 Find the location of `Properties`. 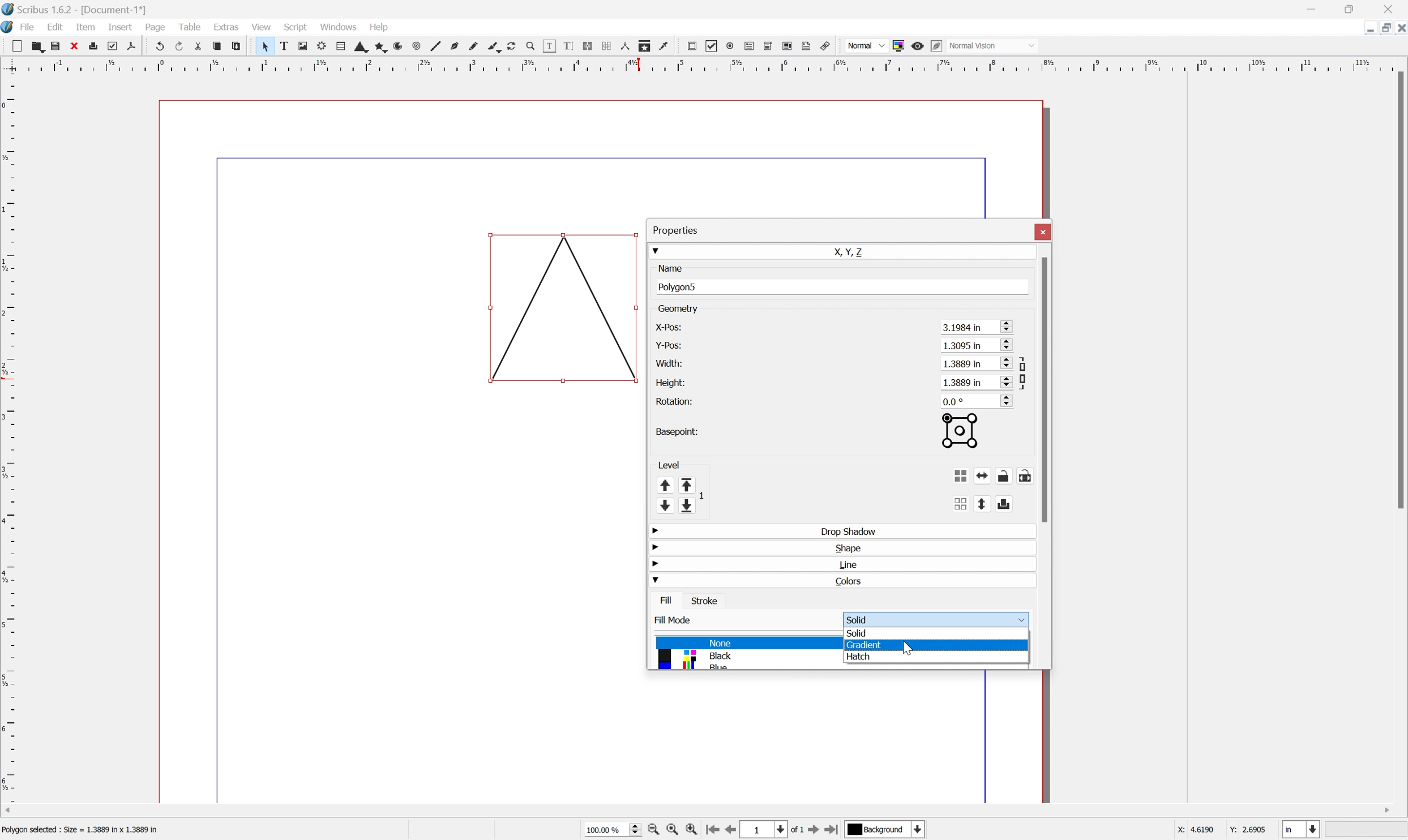

Properties is located at coordinates (676, 230).